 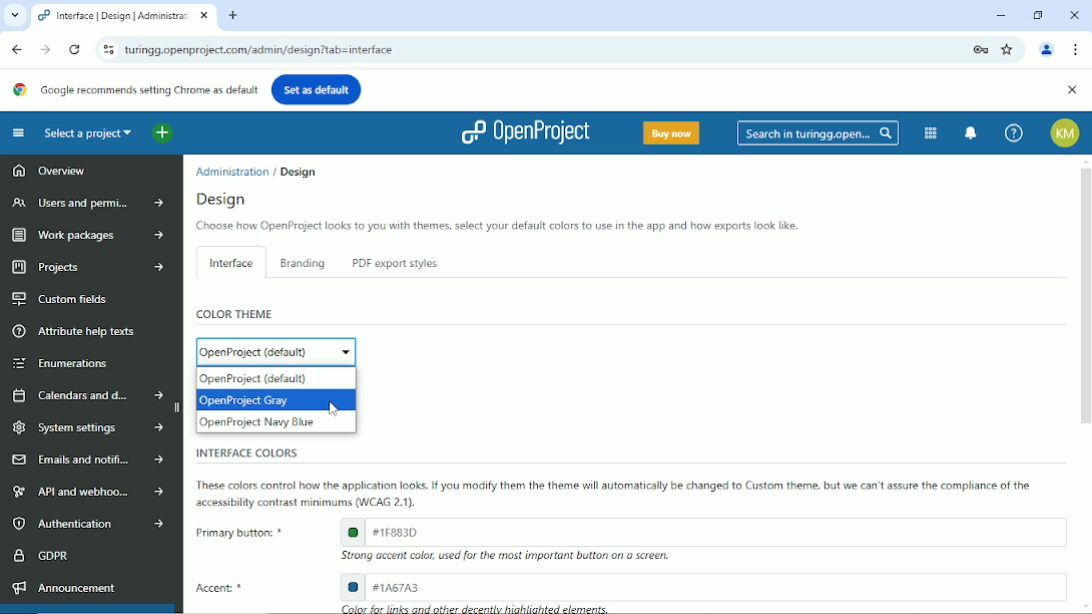 I want to click on Close, so click(x=1074, y=13).